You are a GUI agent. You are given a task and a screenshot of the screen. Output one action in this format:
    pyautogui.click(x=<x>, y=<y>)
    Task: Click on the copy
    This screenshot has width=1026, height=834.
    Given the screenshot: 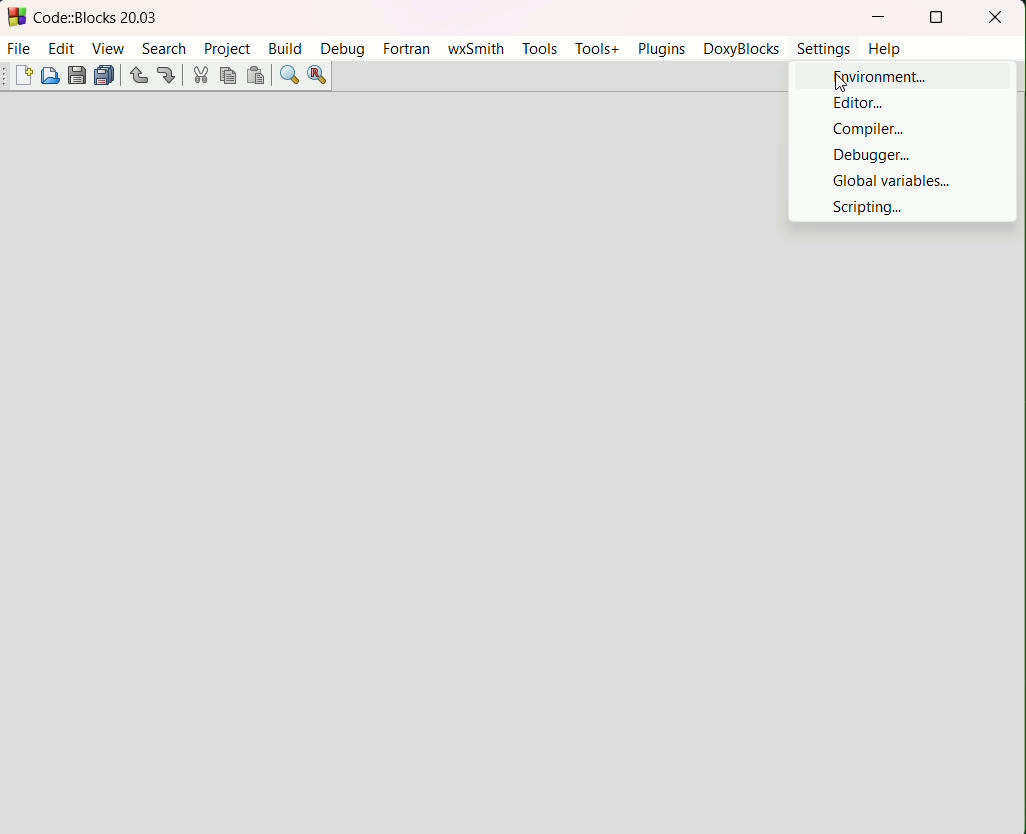 What is the action you would take?
    pyautogui.click(x=227, y=77)
    